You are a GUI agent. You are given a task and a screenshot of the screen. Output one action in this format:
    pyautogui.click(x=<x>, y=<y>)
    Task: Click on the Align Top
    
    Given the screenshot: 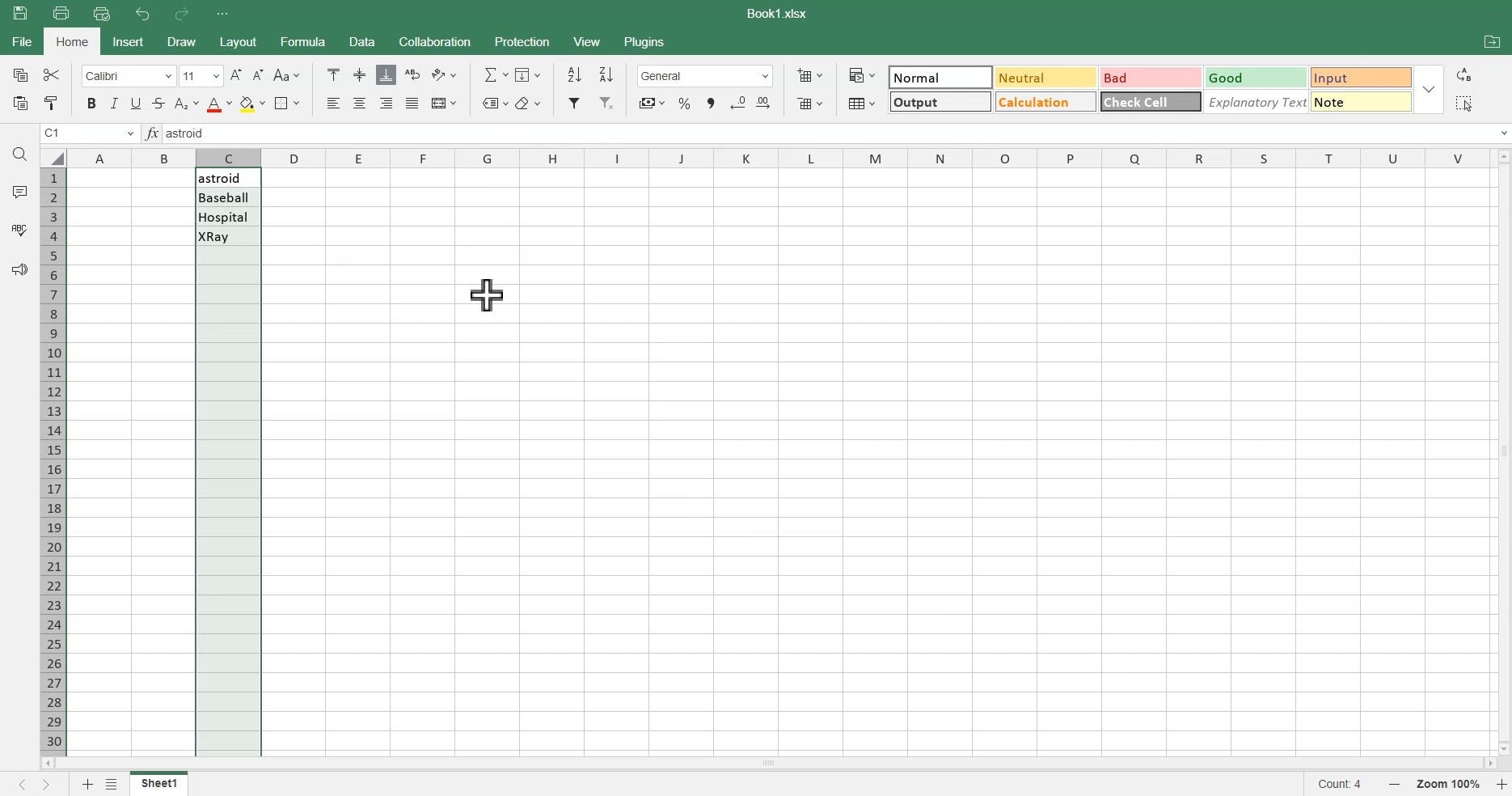 What is the action you would take?
    pyautogui.click(x=333, y=74)
    